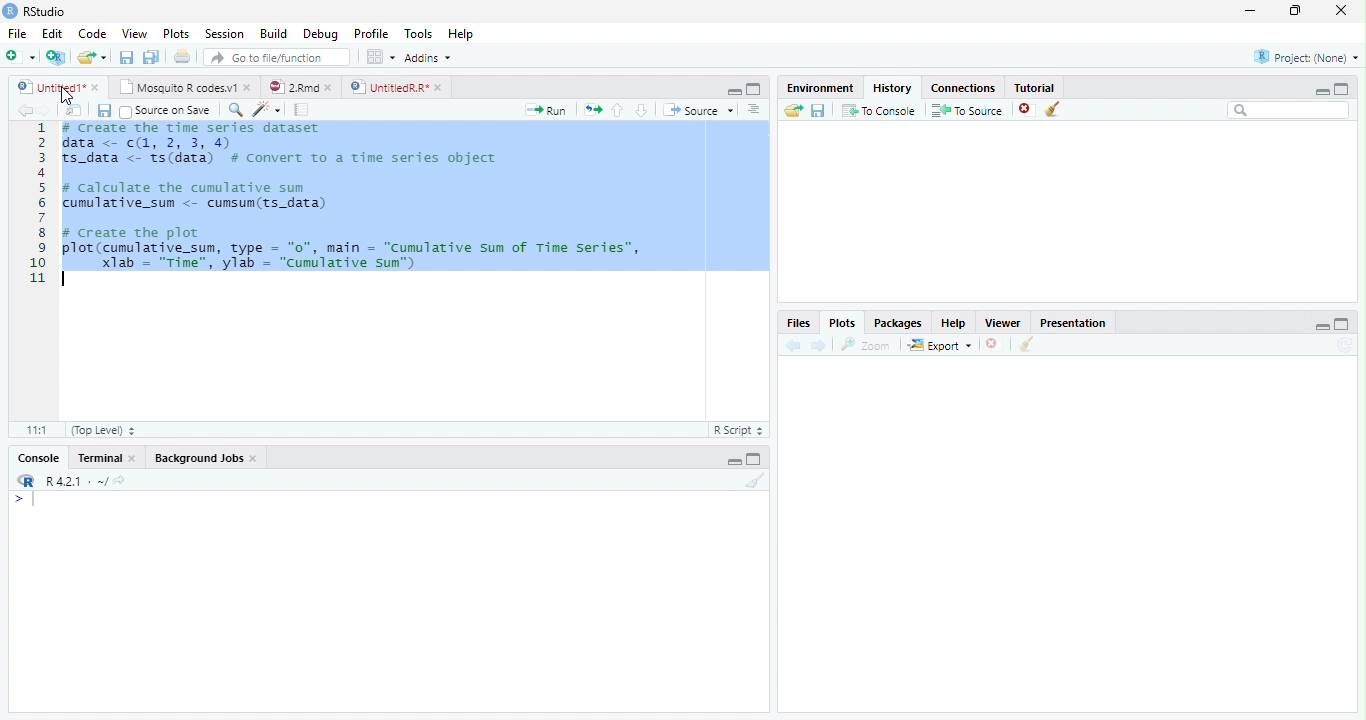 The image size is (1366, 720). Describe the element at coordinates (753, 484) in the screenshot. I see `Clear Console` at that location.